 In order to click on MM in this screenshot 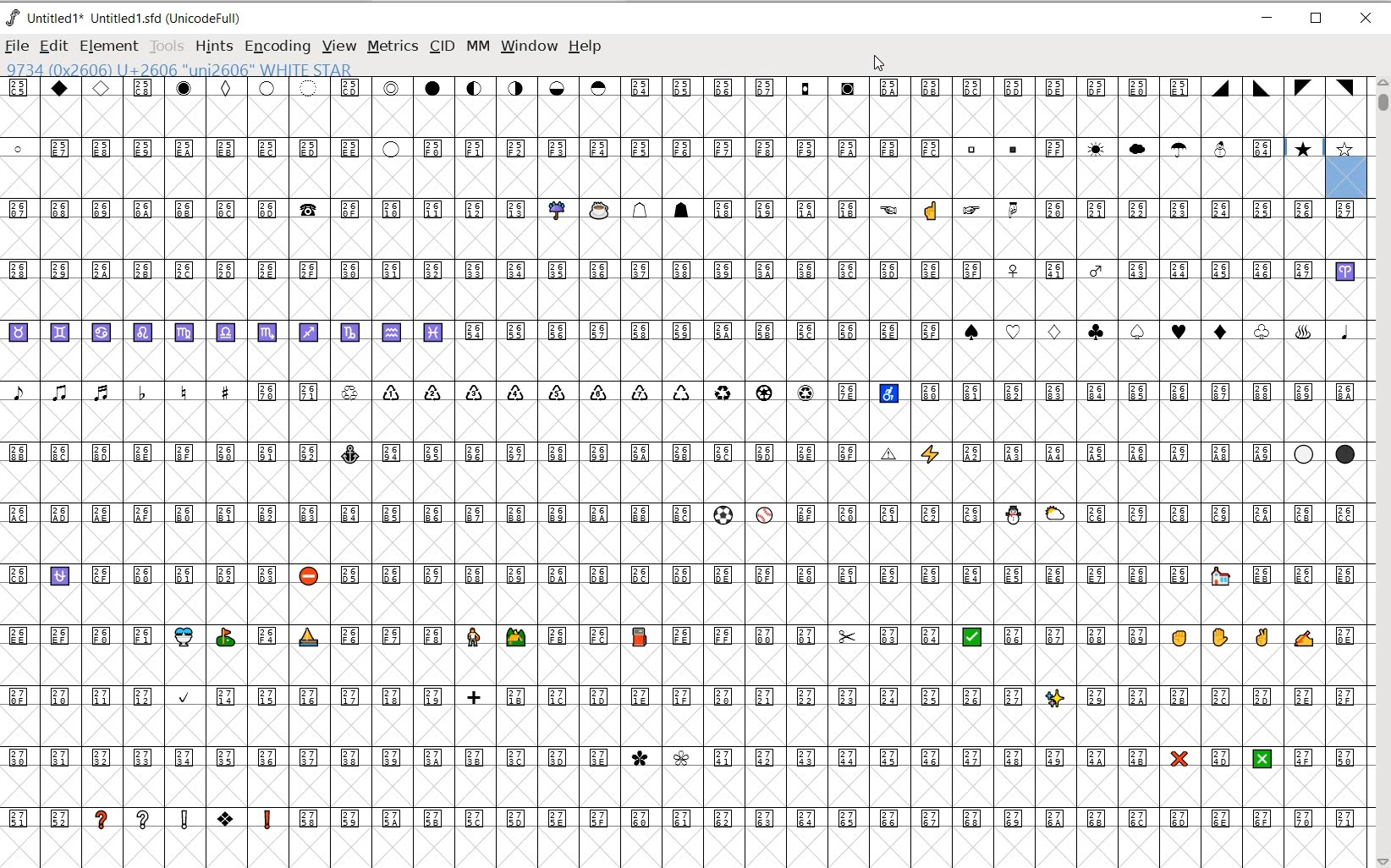, I will do `click(476, 45)`.